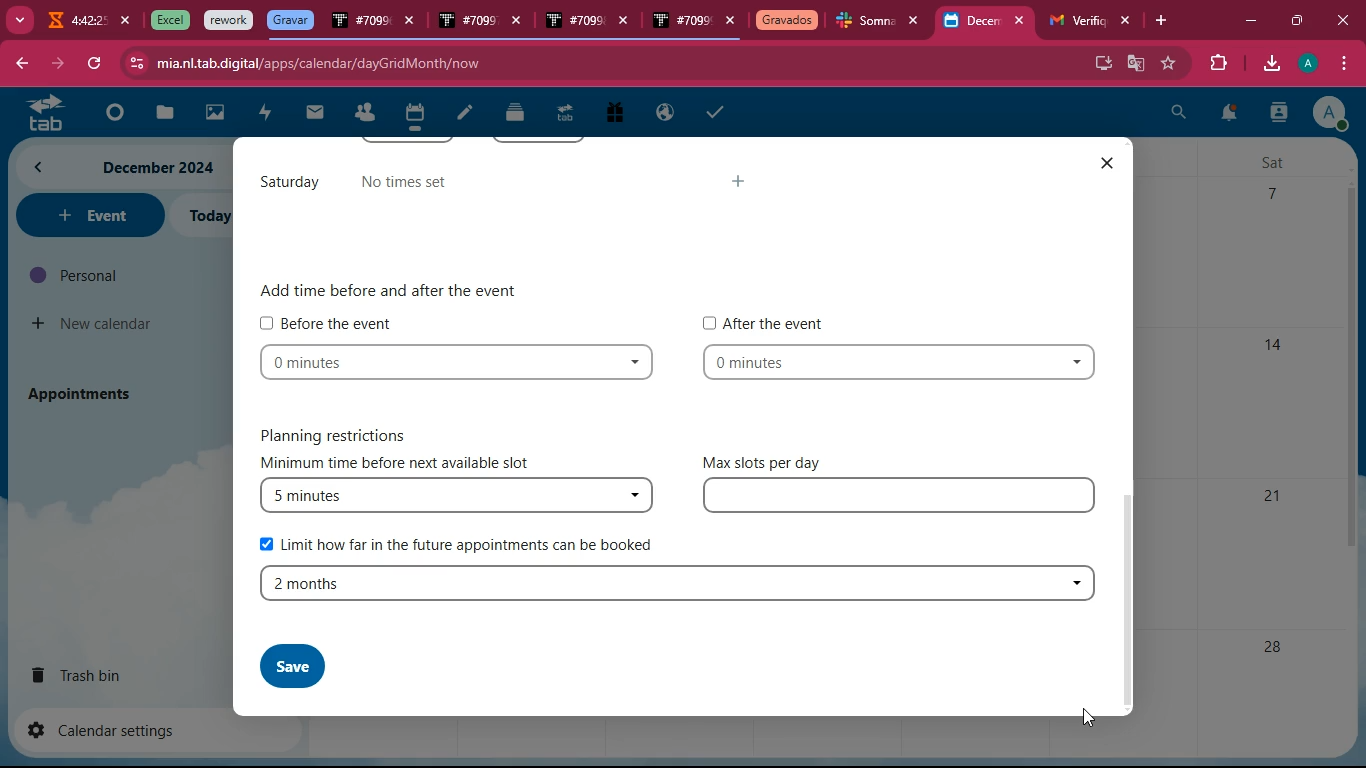 Image resolution: width=1366 pixels, height=768 pixels. Describe the element at coordinates (411, 23) in the screenshot. I see `close` at that location.